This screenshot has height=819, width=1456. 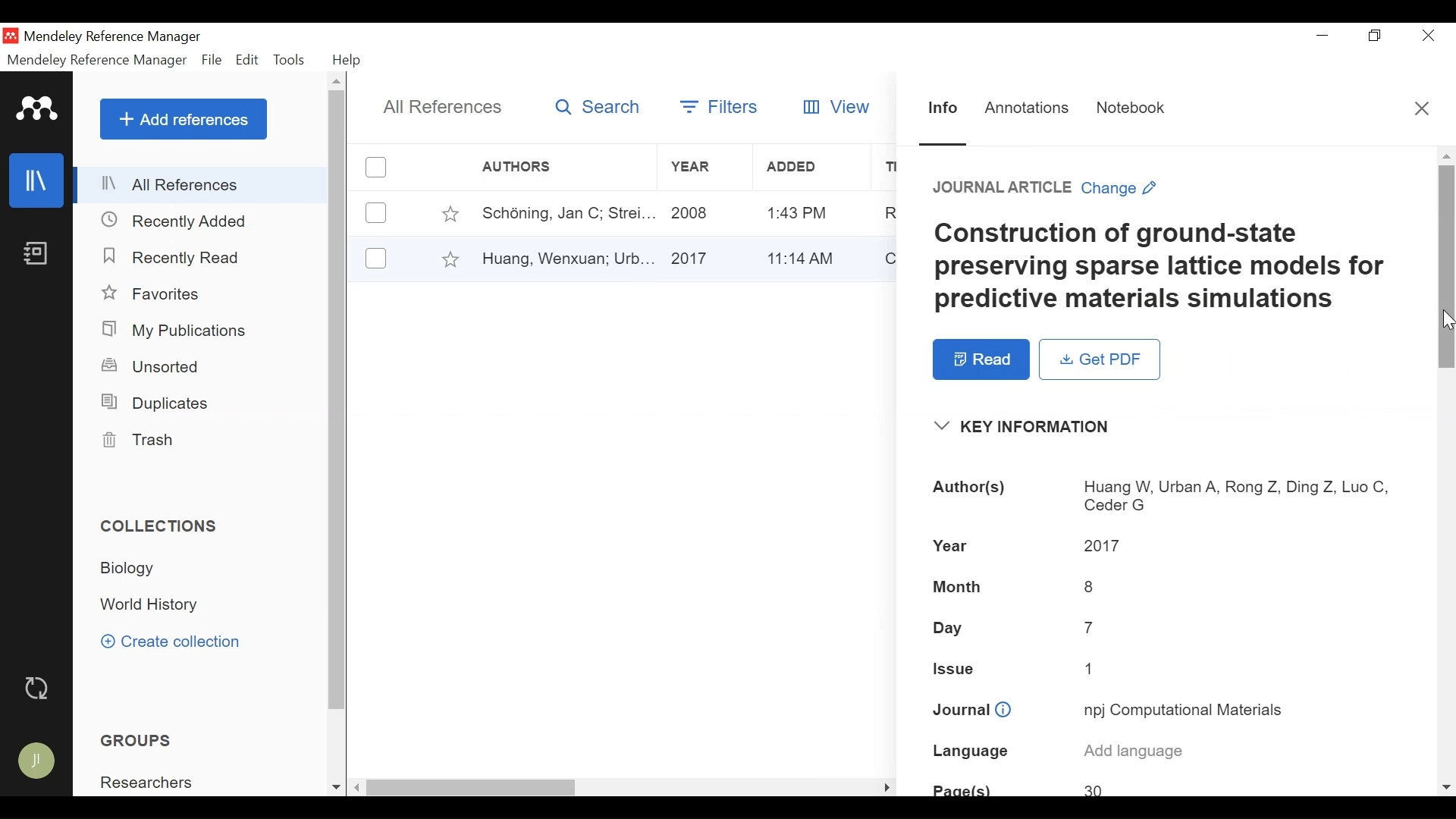 I want to click on Toggle Favorite, so click(x=450, y=213).